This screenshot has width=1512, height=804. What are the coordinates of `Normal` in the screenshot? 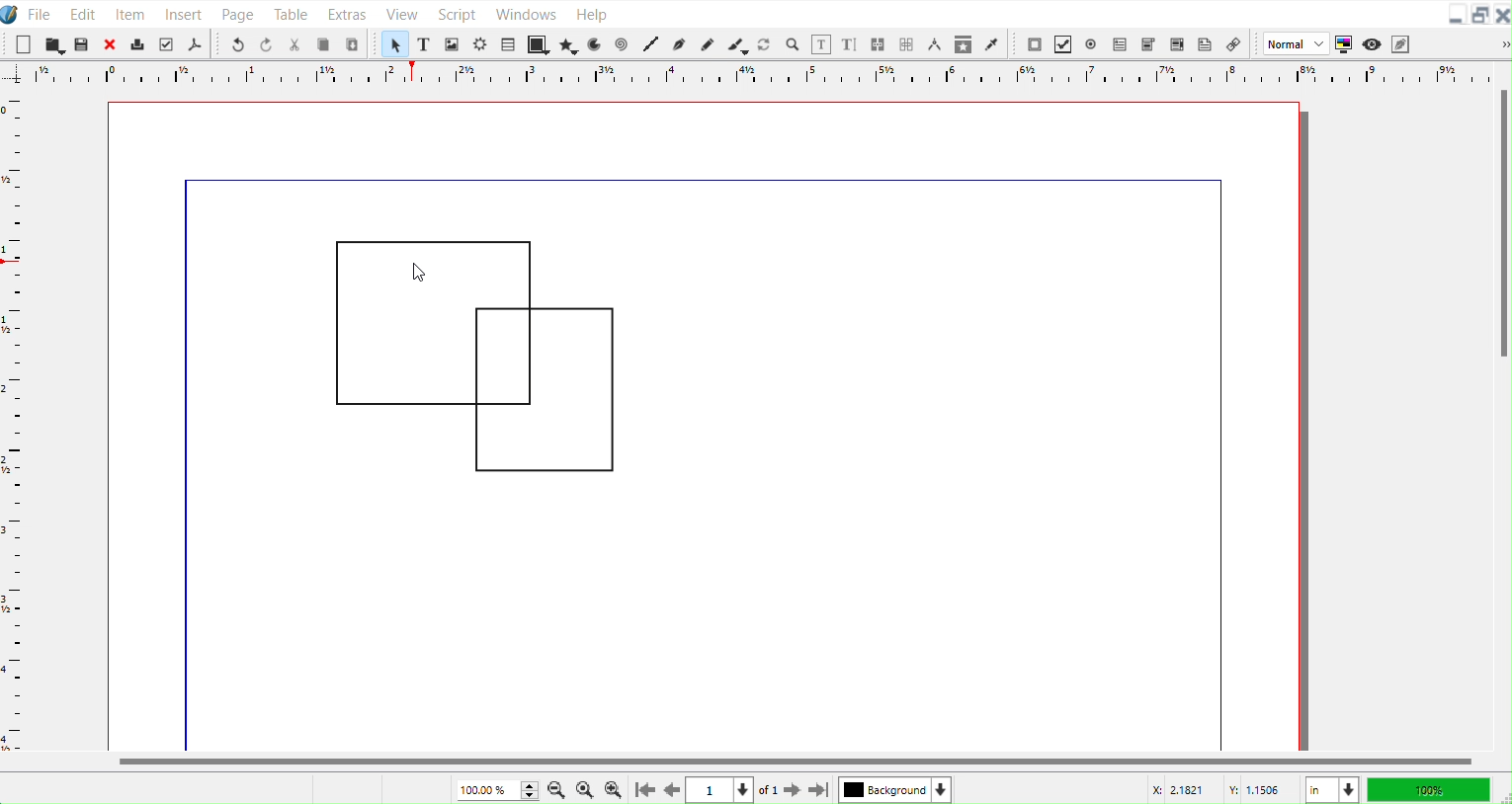 It's located at (1294, 43).